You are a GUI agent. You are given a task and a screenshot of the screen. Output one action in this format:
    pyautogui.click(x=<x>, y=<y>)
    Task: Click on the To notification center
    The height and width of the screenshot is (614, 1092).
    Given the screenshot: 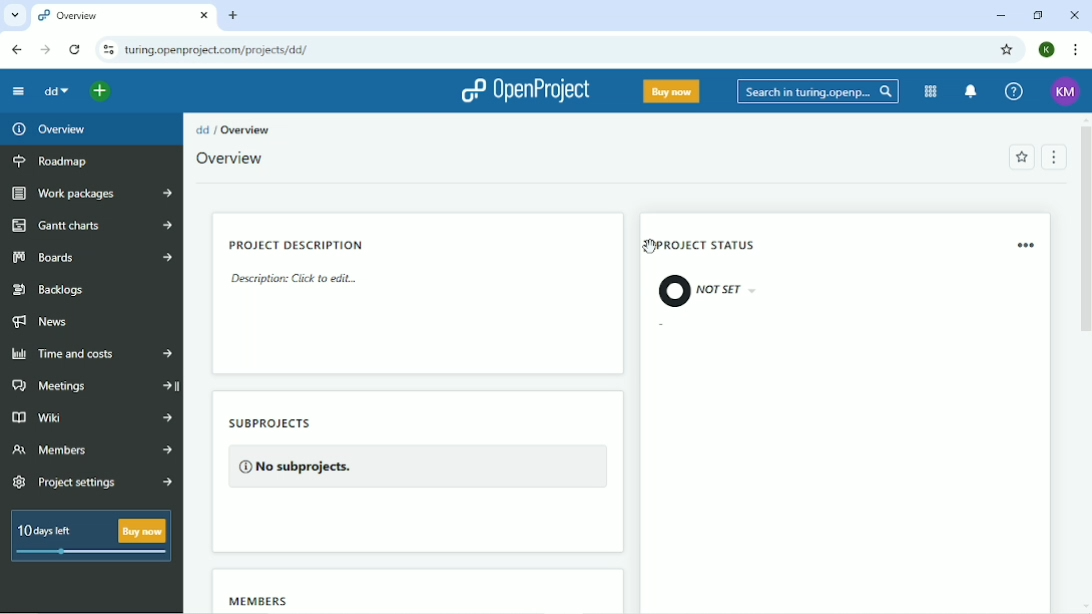 What is the action you would take?
    pyautogui.click(x=970, y=91)
    